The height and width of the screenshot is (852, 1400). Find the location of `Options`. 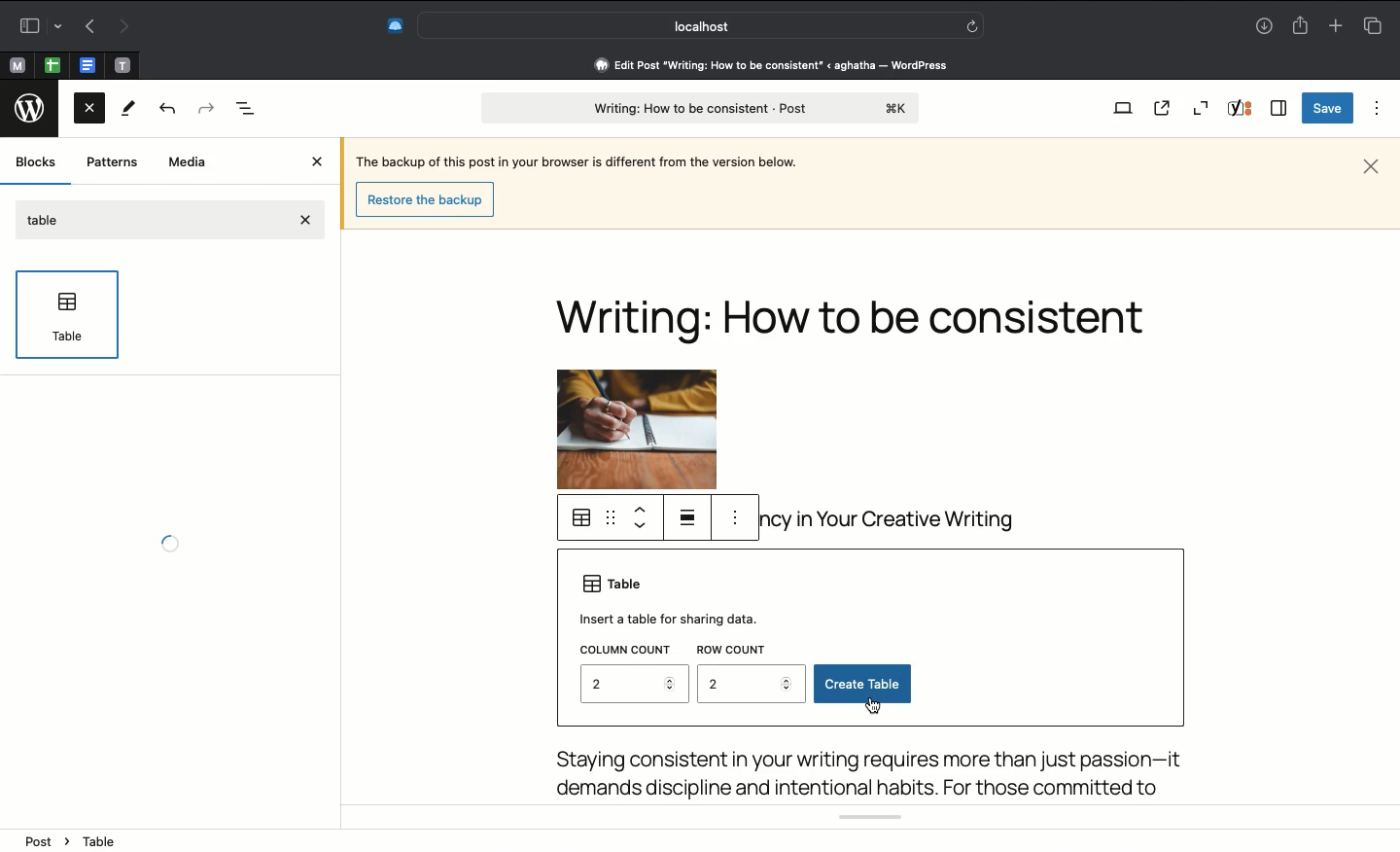

Options is located at coordinates (1379, 109).